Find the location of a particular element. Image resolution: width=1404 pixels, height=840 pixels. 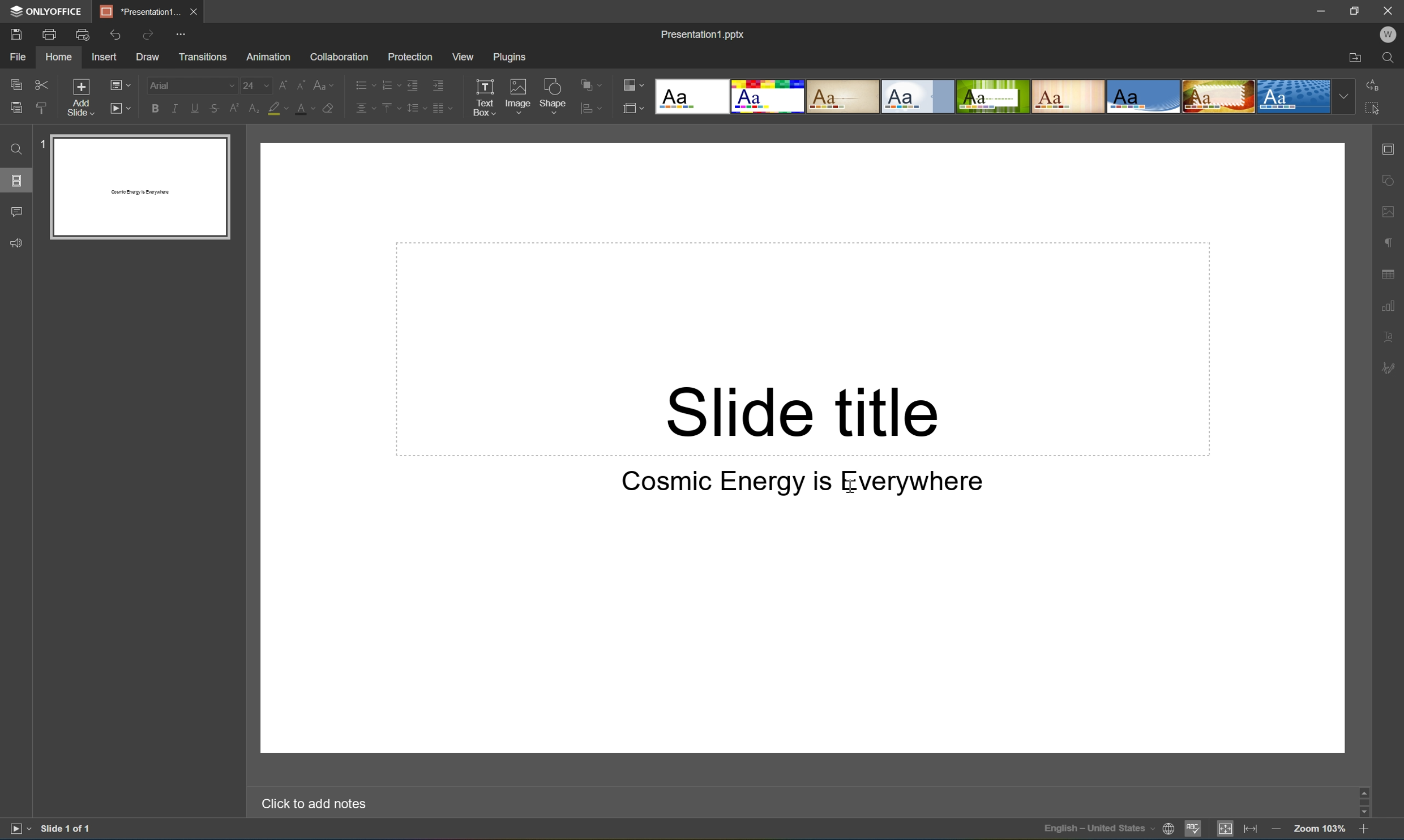

Zoom in is located at coordinates (1364, 828).